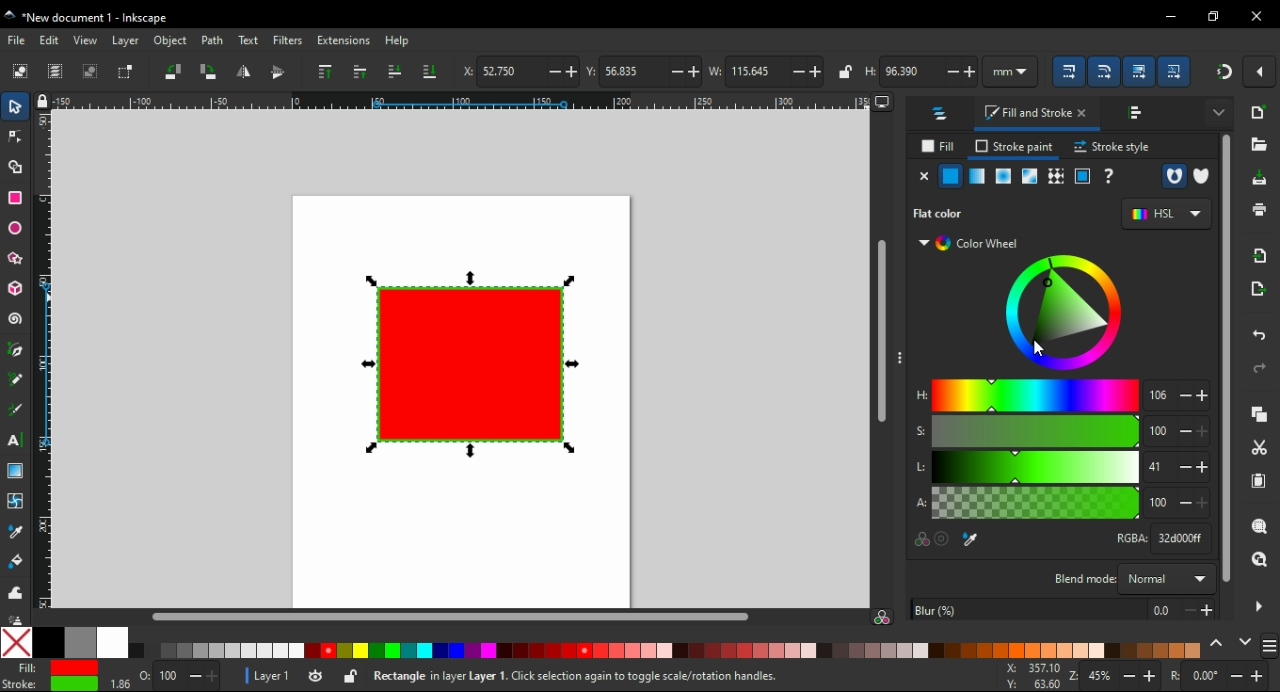 This screenshot has width=1280, height=692. Describe the element at coordinates (844, 72) in the screenshot. I see `lock` at that location.